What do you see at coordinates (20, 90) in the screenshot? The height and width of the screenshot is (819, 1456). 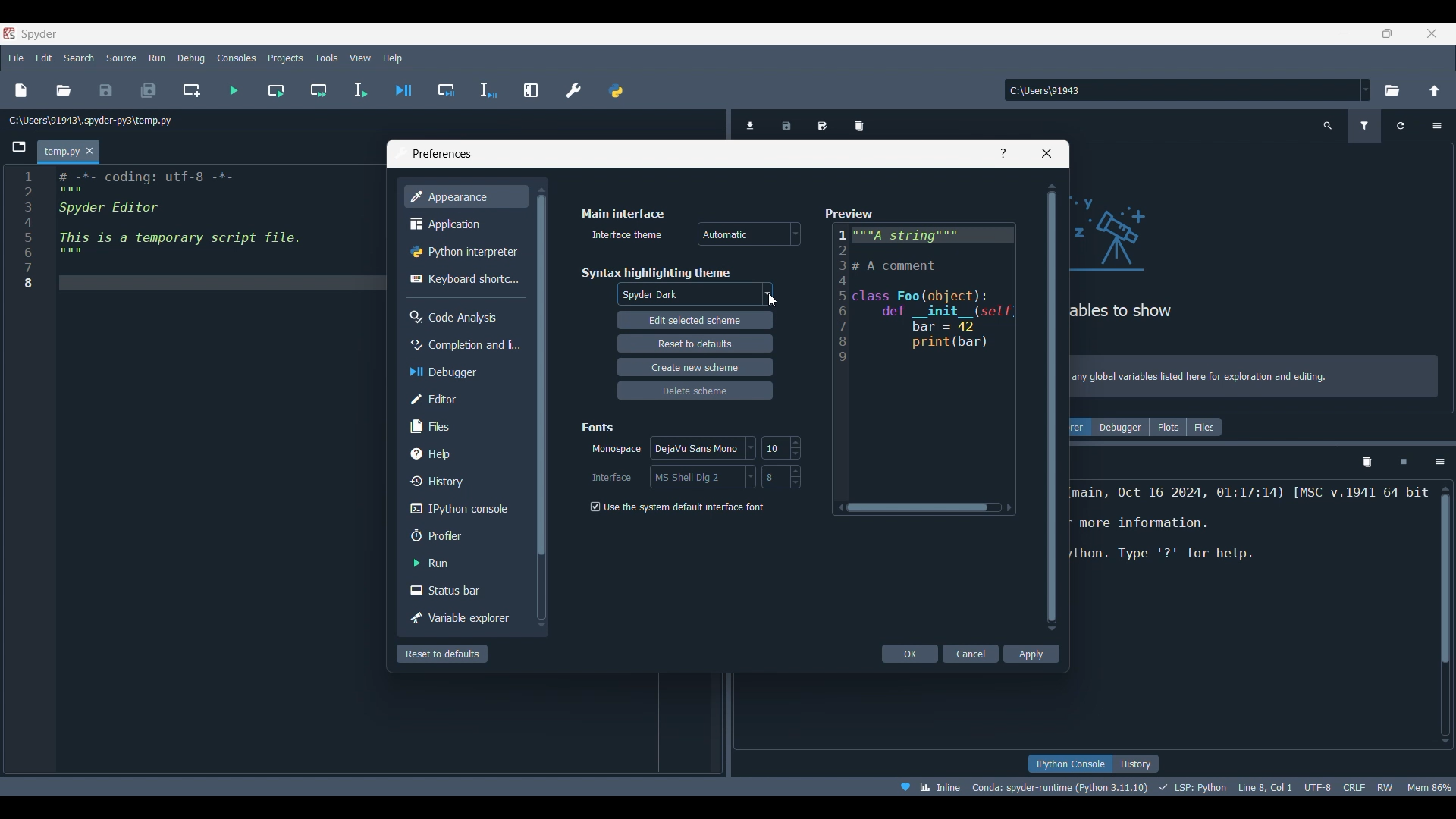 I see `New` at bounding box center [20, 90].